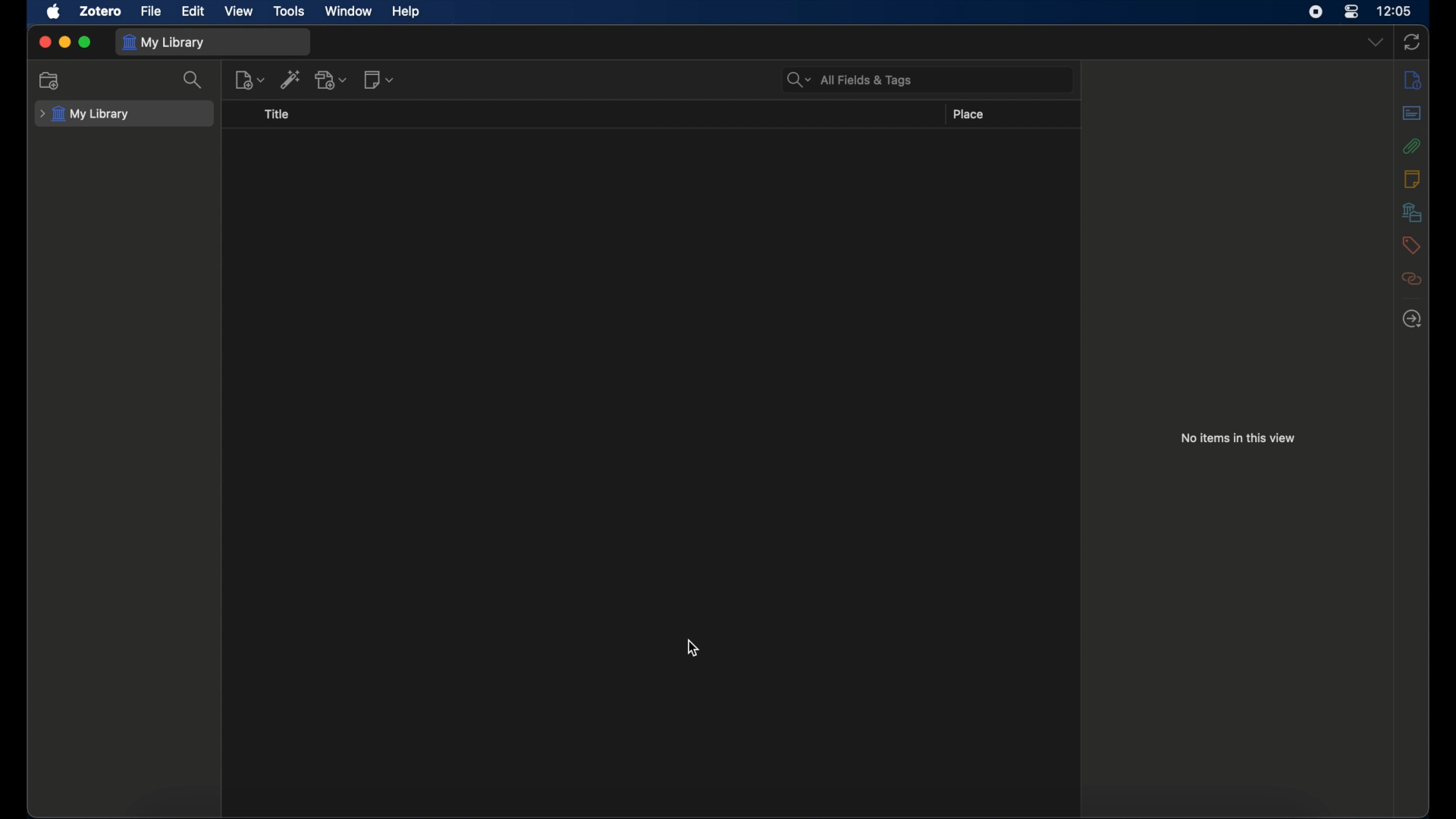  I want to click on screen recorder, so click(1314, 12).